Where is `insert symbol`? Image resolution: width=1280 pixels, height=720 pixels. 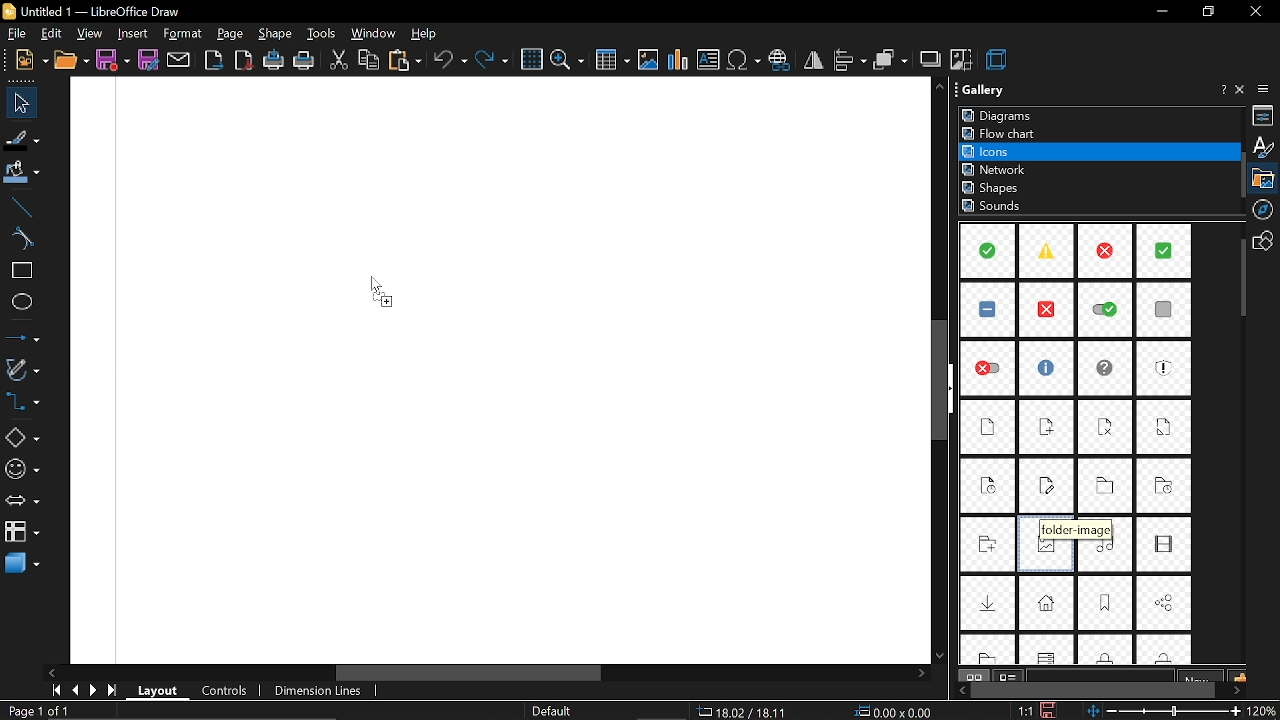 insert symbol is located at coordinates (745, 61).